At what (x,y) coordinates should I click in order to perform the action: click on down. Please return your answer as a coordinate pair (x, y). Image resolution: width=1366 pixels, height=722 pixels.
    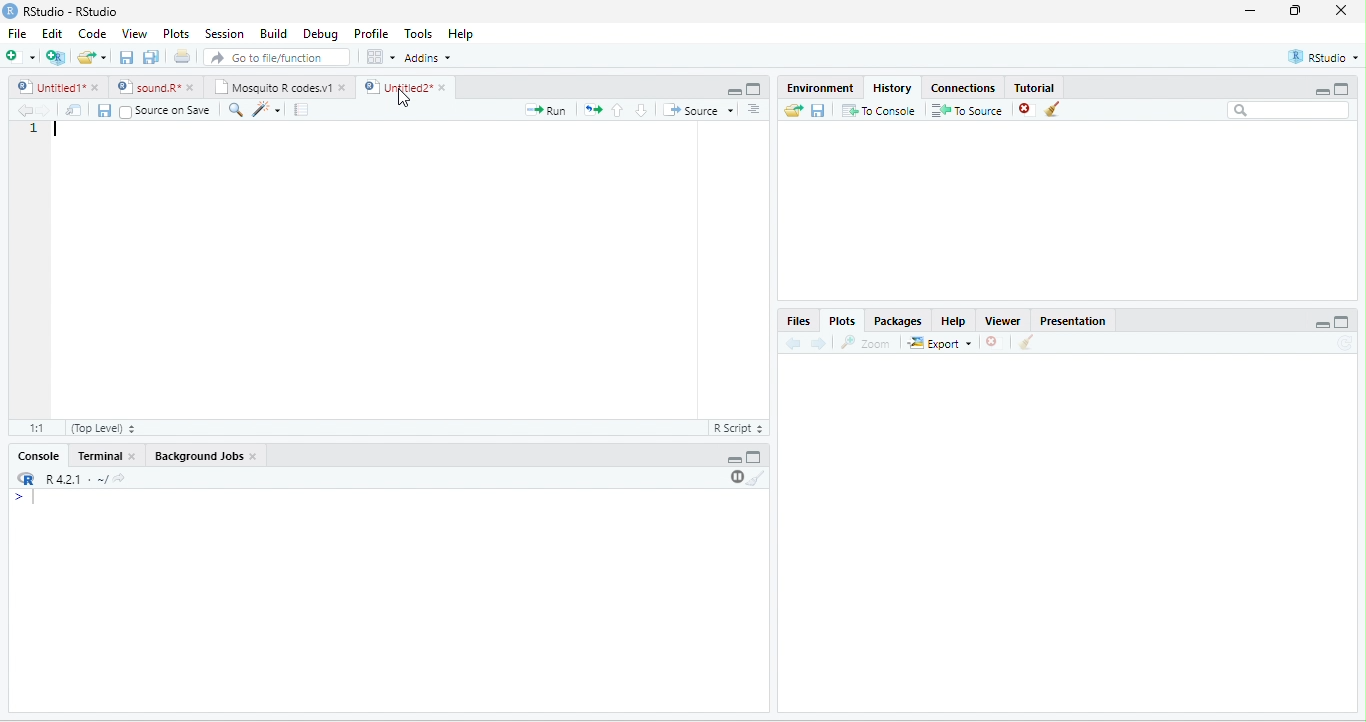
    Looking at the image, I should click on (641, 110).